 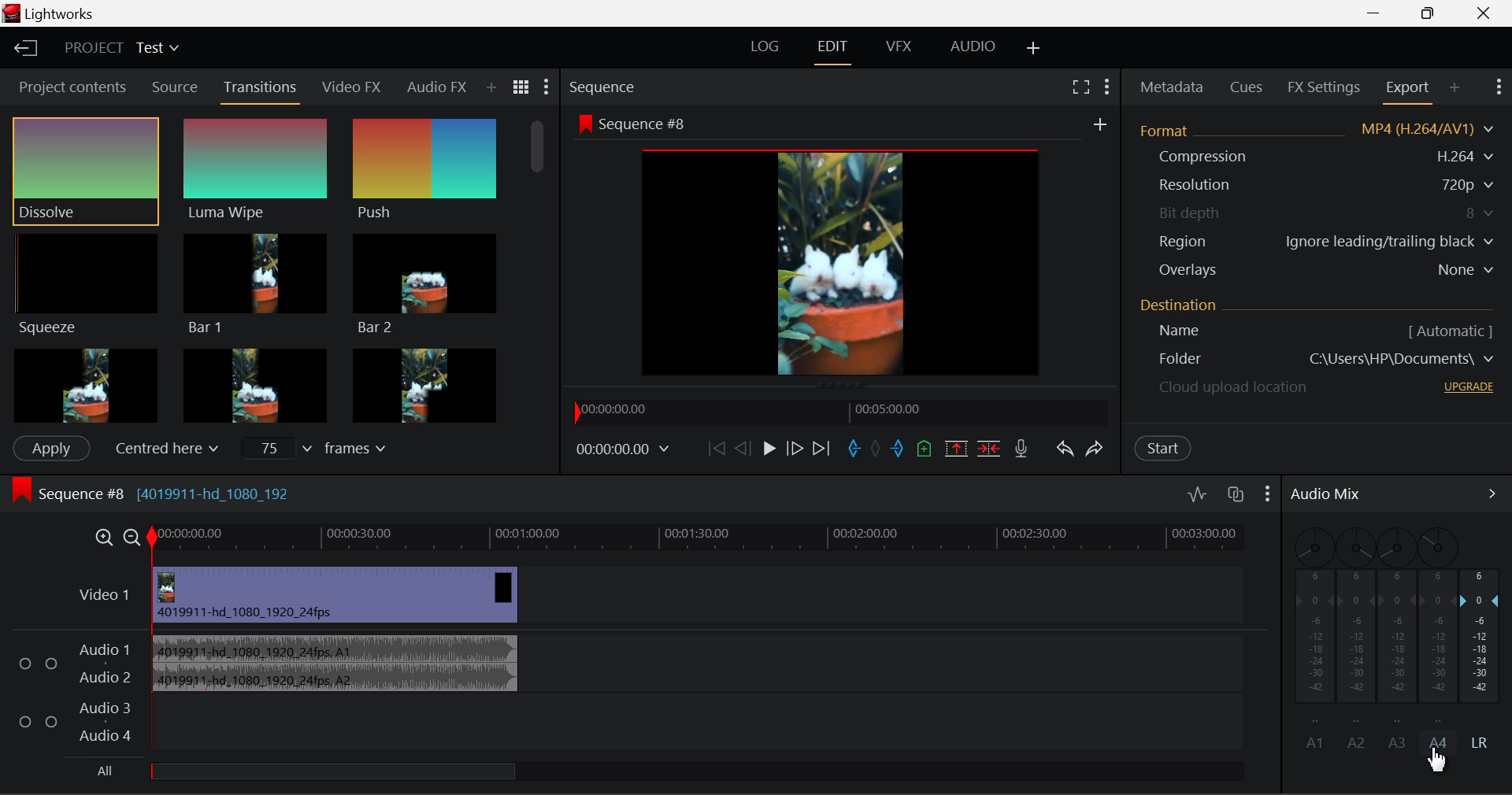 I want to click on Destination Details, so click(x=1320, y=320).